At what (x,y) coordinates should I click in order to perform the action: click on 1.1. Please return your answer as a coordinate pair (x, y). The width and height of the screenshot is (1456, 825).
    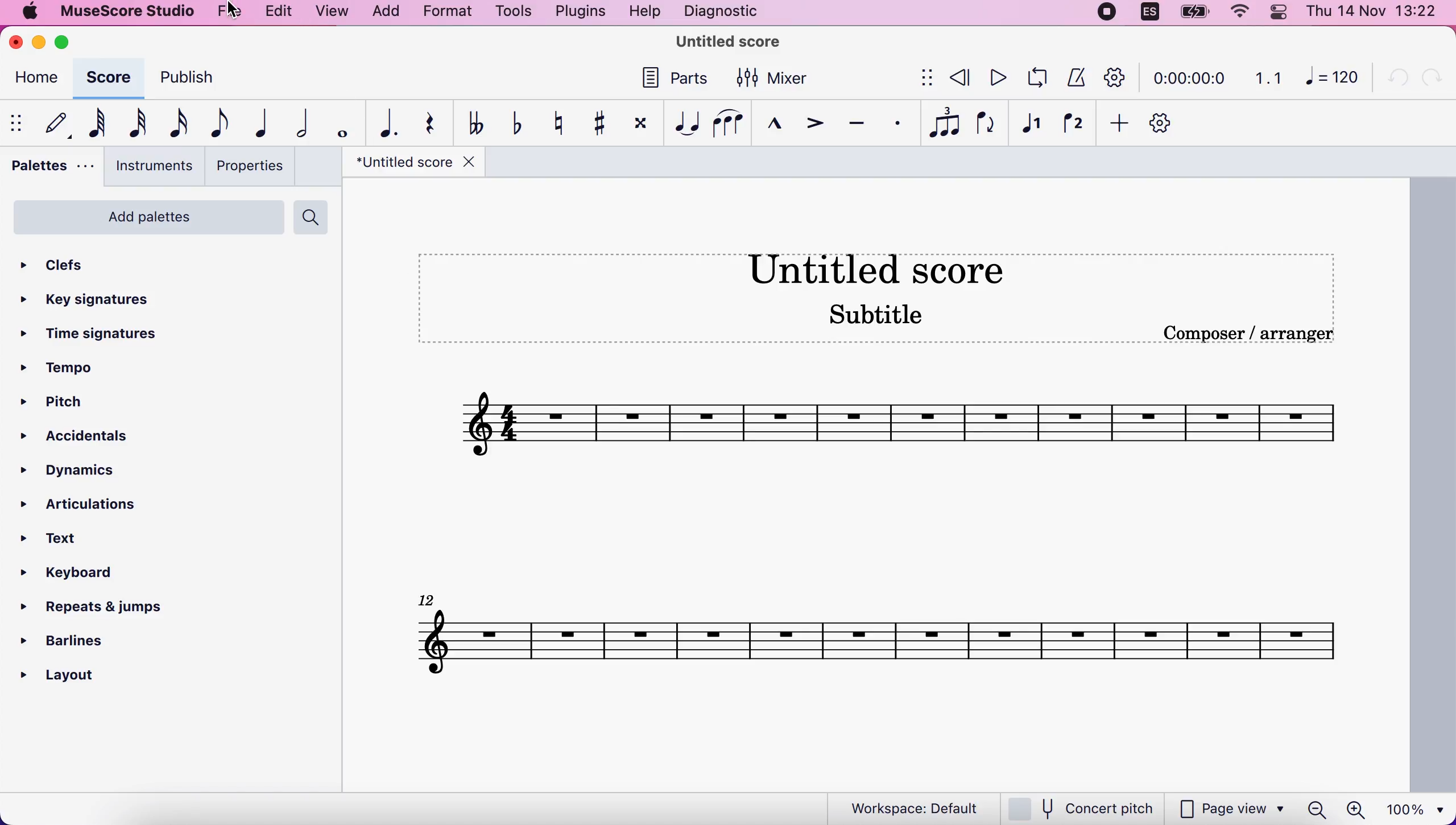
    Looking at the image, I should click on (1267, 79).